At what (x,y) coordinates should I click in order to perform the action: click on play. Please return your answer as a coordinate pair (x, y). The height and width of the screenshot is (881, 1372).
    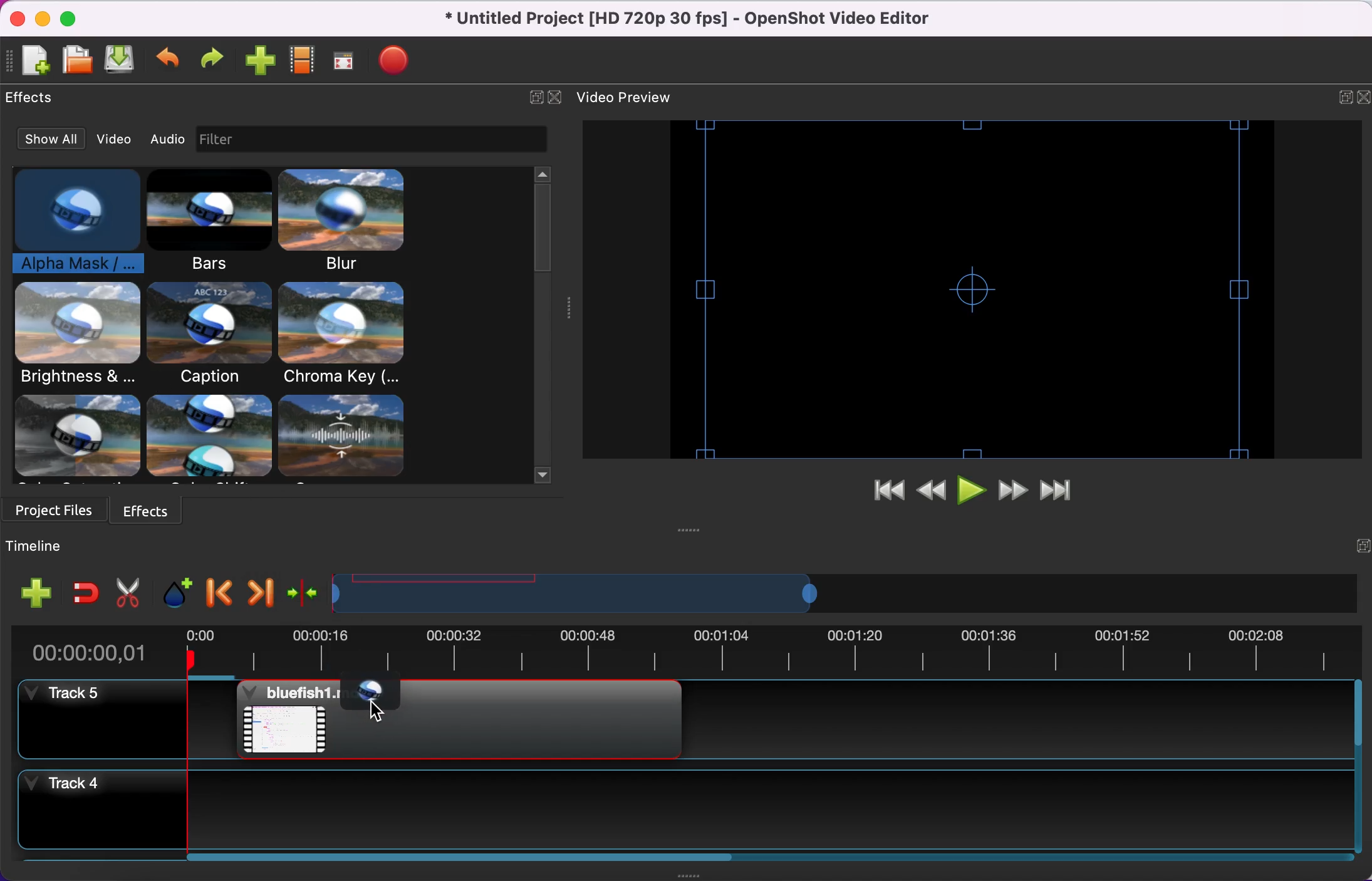
    Looking at the image, I should click on (972, 491).